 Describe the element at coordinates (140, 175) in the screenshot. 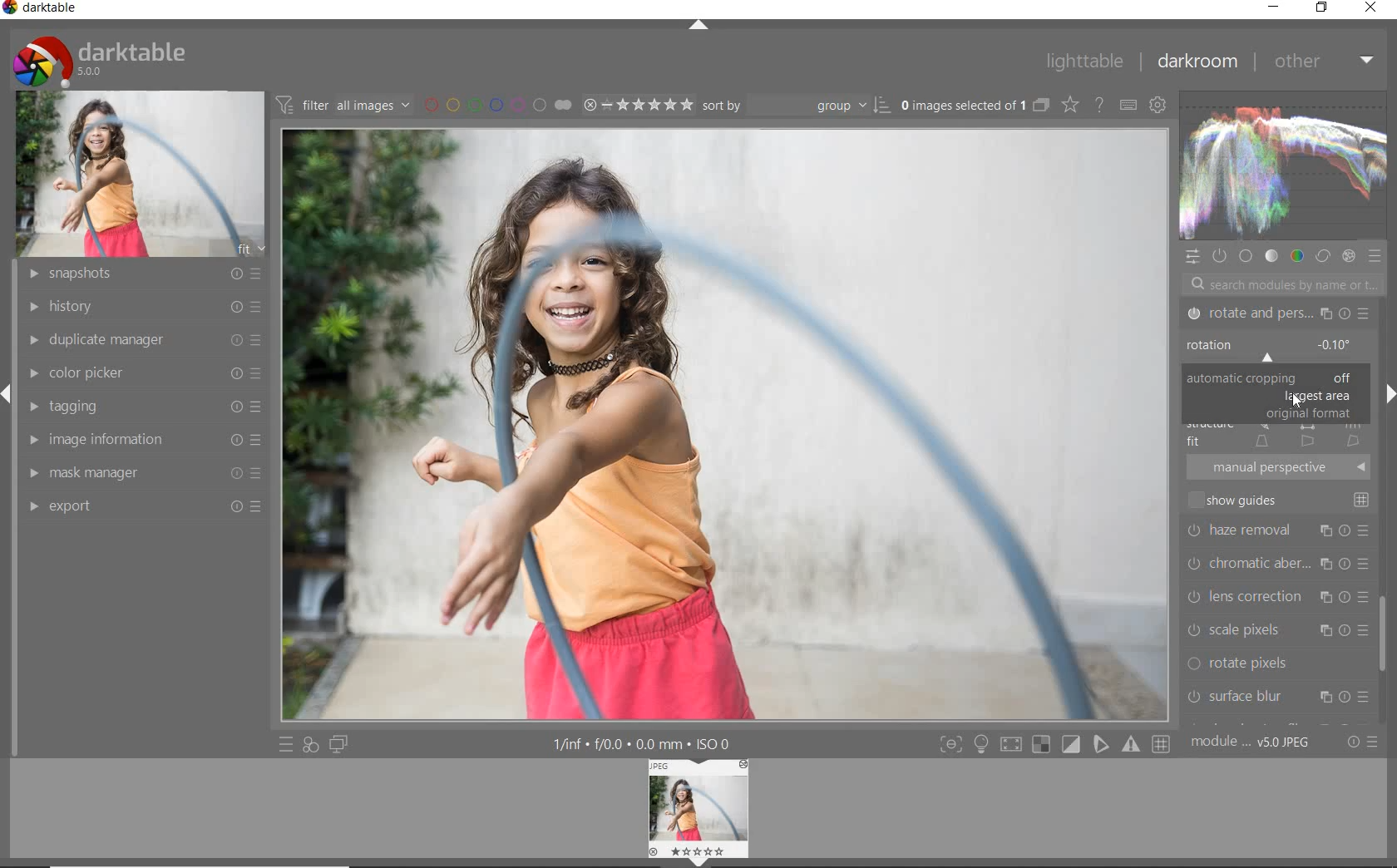

I see `image` at that location.